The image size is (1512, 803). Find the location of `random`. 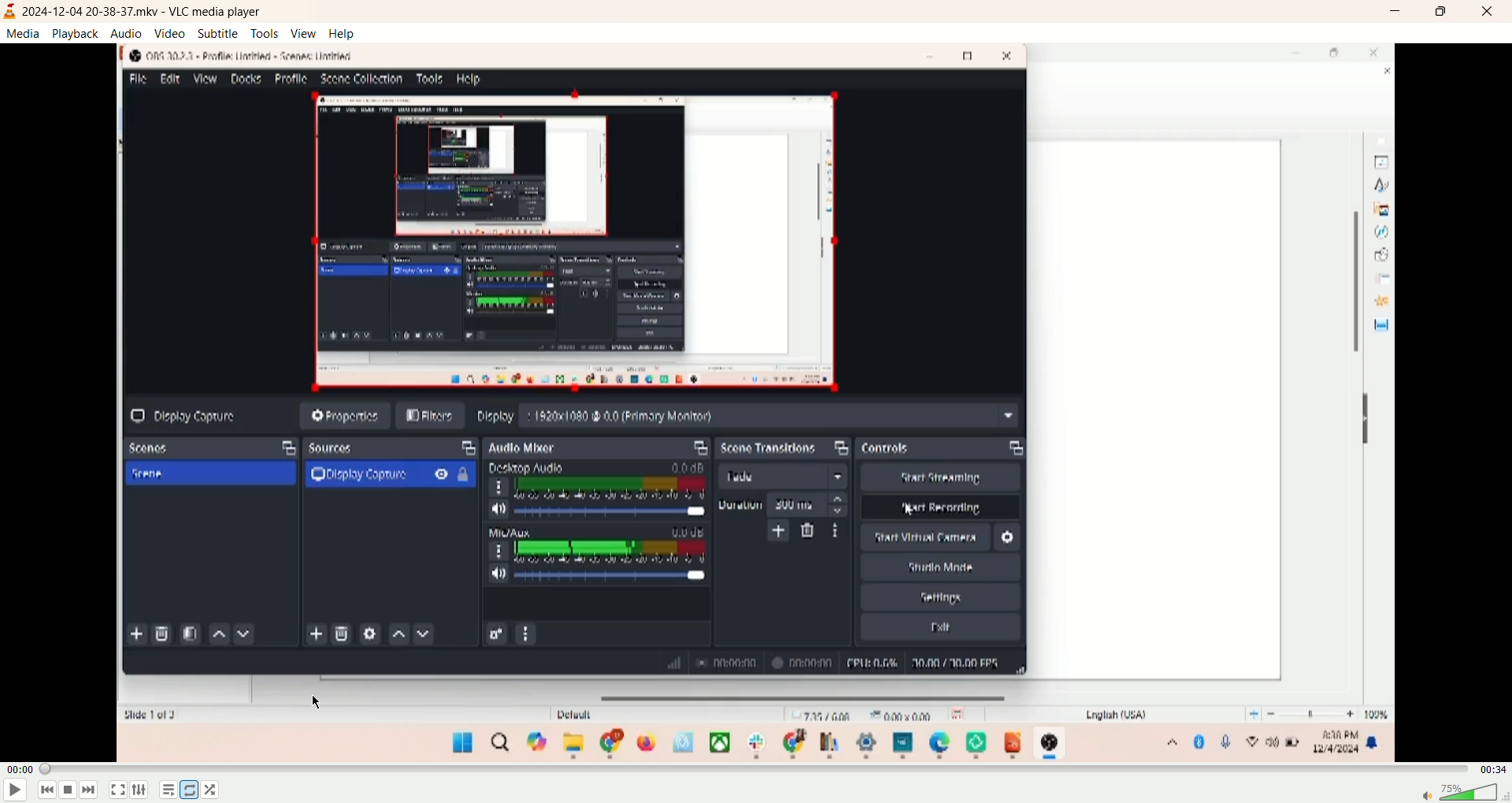

random is located at coordinates (211, 790).